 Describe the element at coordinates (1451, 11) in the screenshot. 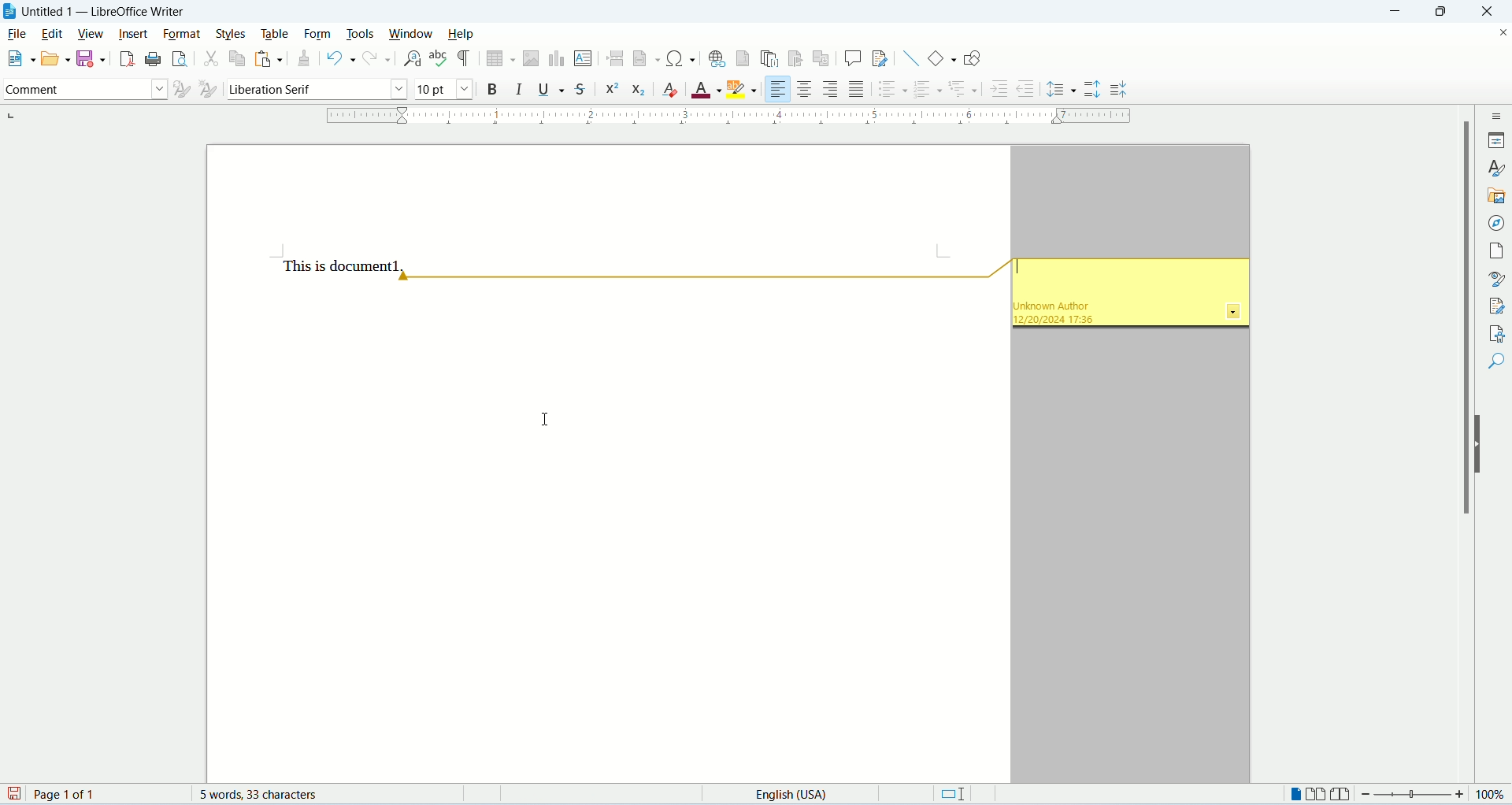

I see `maximize` at that location.